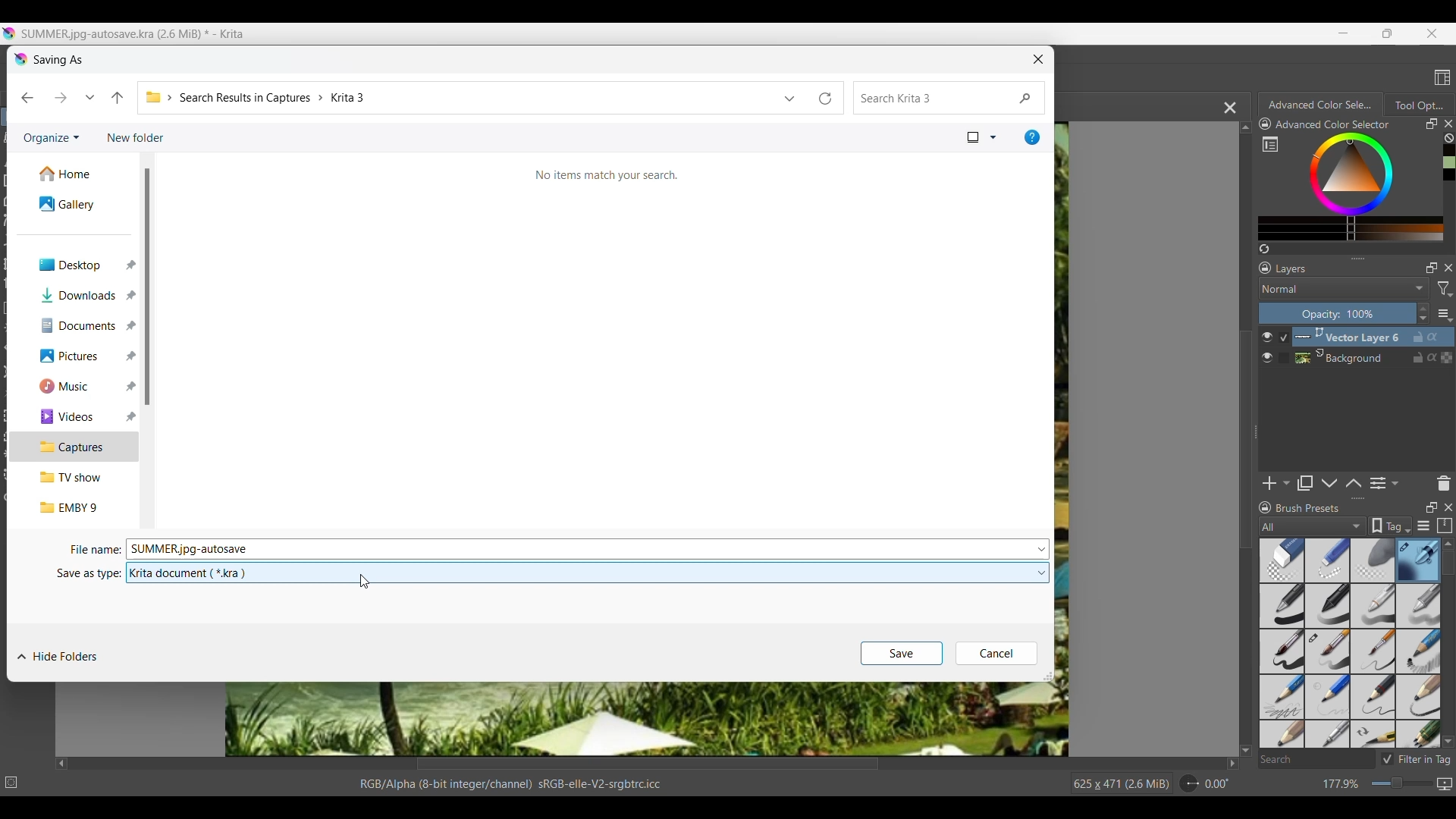 The image size is (1456, 819). What do you see at coordinates (1265, 508) in the screenshot?
I see `Lock Brush presets panel` at bounding box center [1265, 508].